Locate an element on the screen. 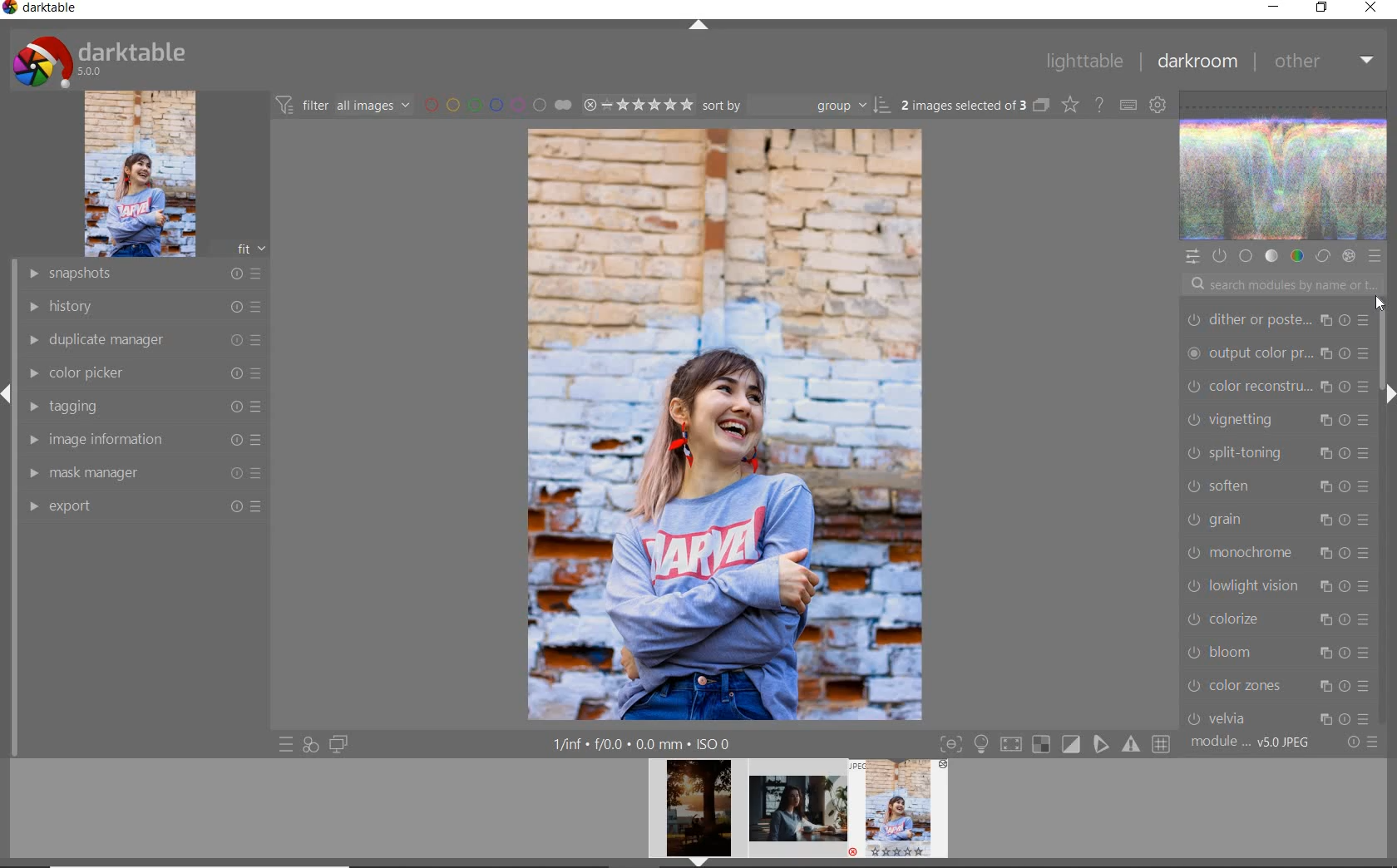 Image resolution: width=1397 pixels, height=868 pixels. DEFINE KEYBOARD SHORTCUTS is located at coordinates (1128, 105).